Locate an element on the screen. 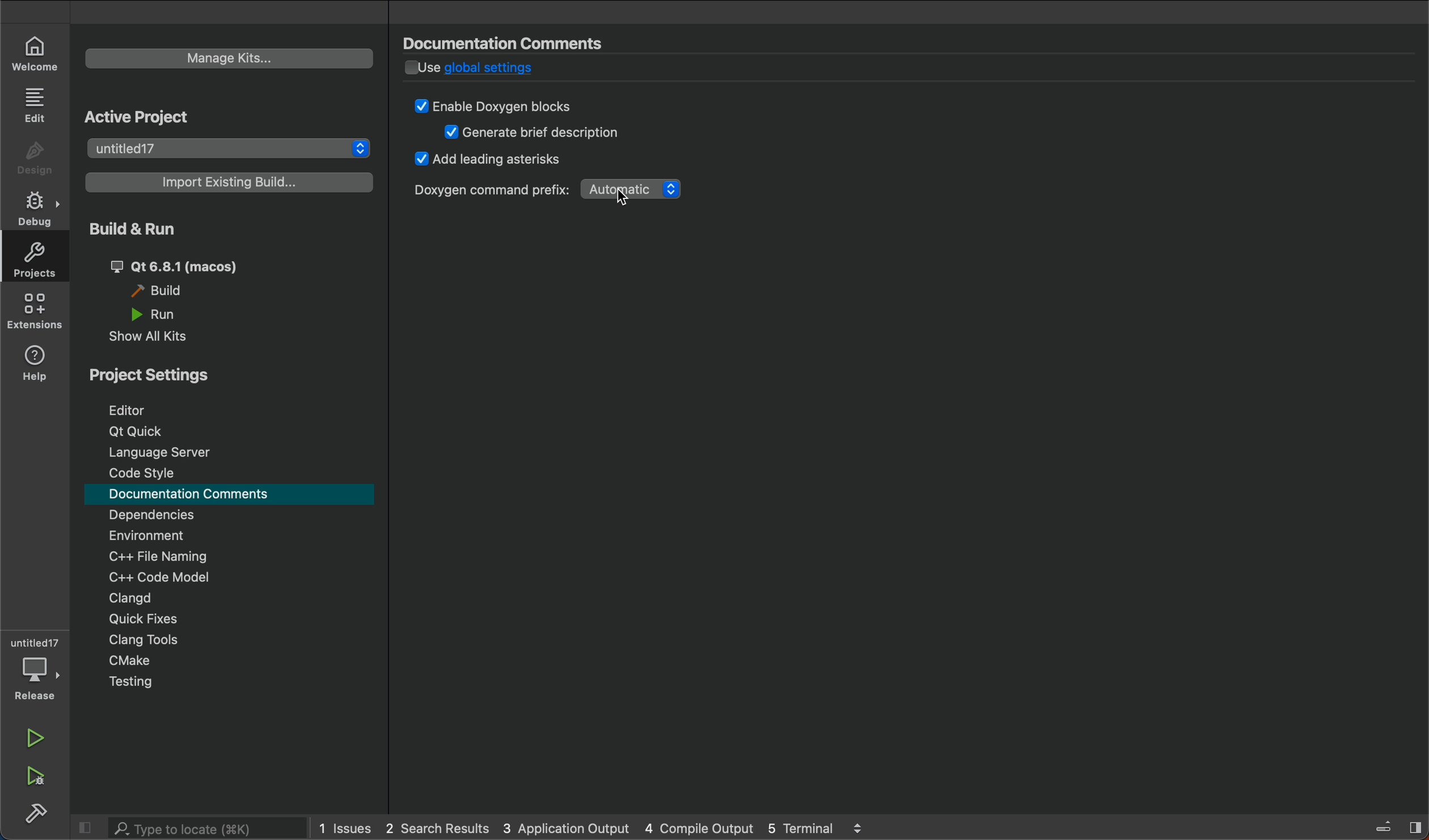 This screenshot has height=840, width=1429. import build is located at coordinates (231, 182).